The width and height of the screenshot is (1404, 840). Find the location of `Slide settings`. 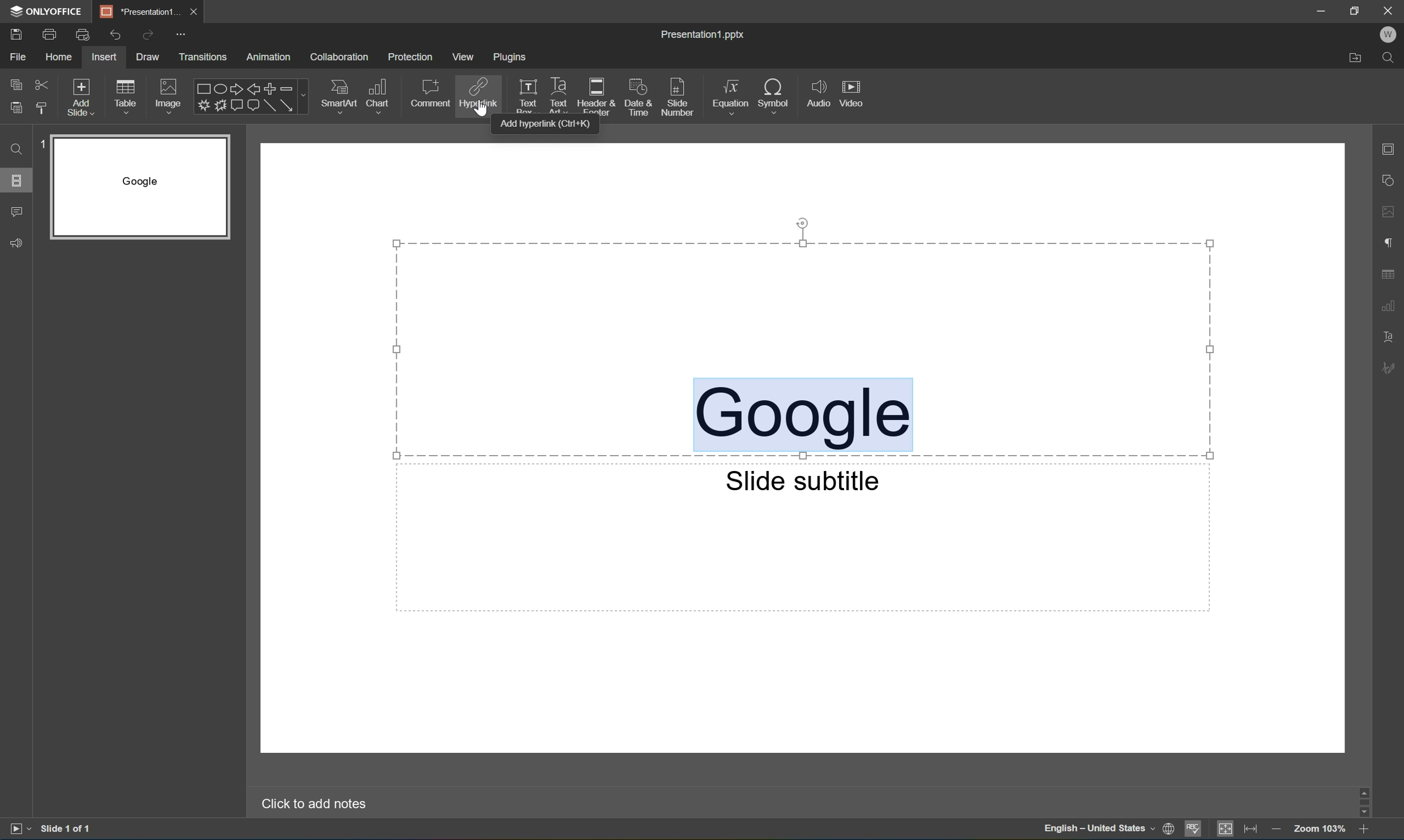

Slide settings is located at coordinates (1390, 148).